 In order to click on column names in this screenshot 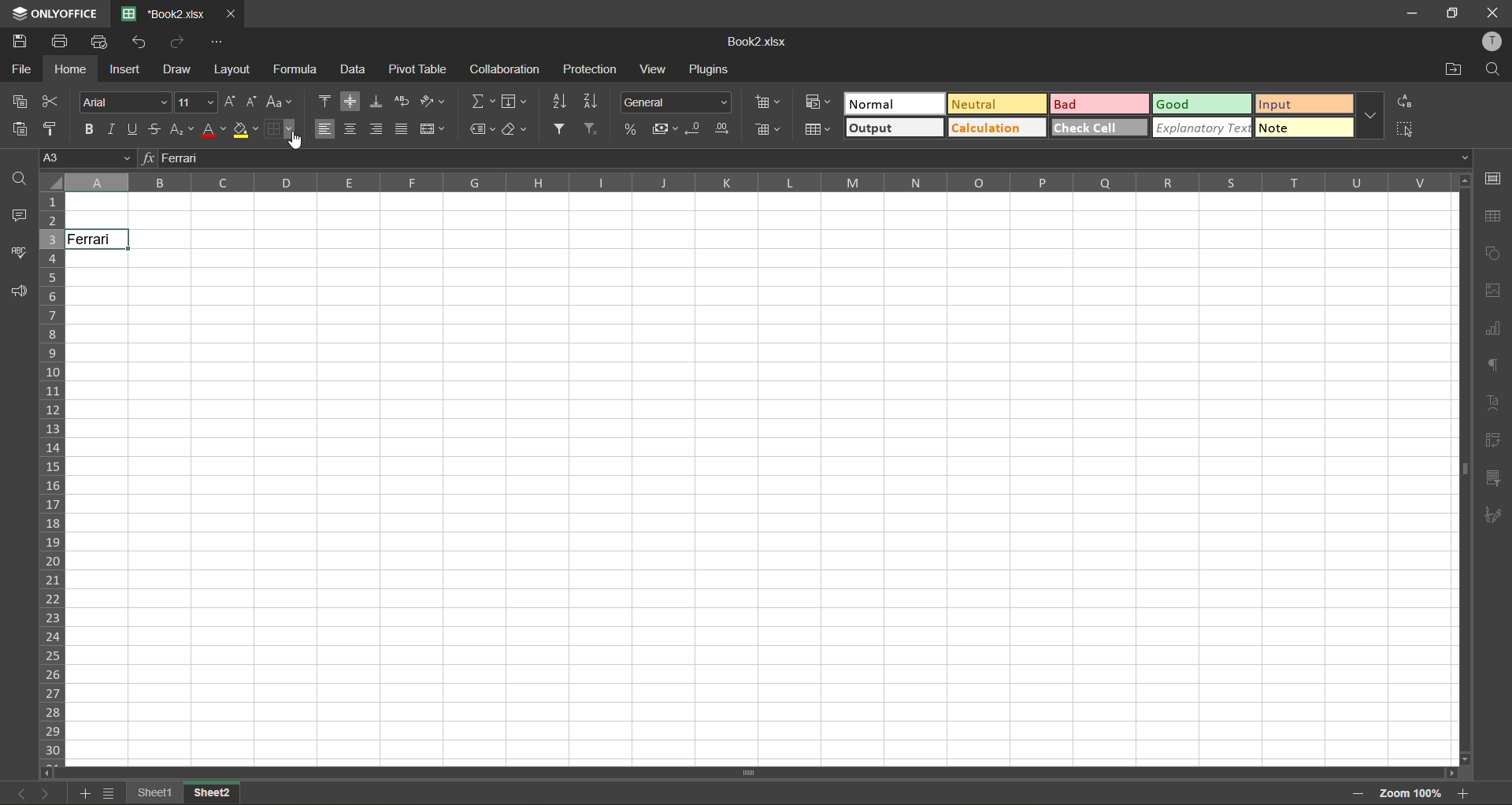, I will do `click(755, 183)`.